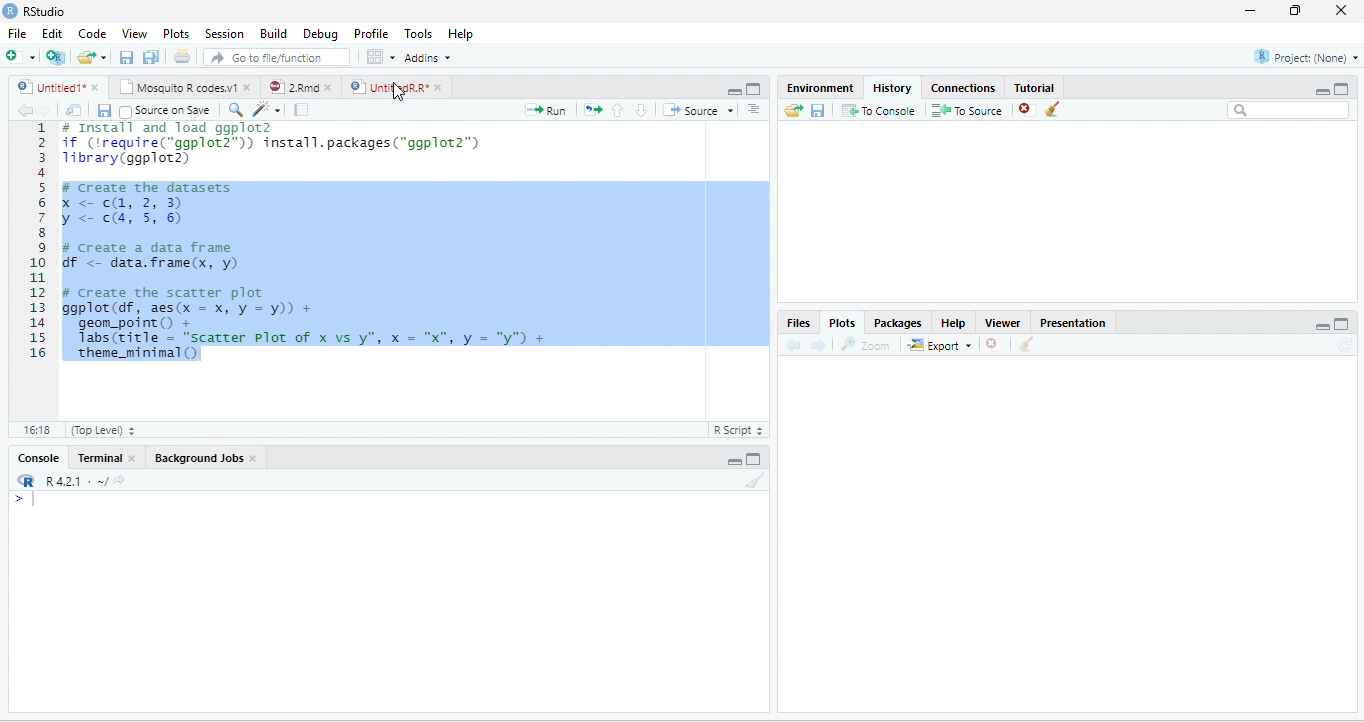  Describe the element at coordinates (842, 321) in the screenshot. I see `Plots` at that location.